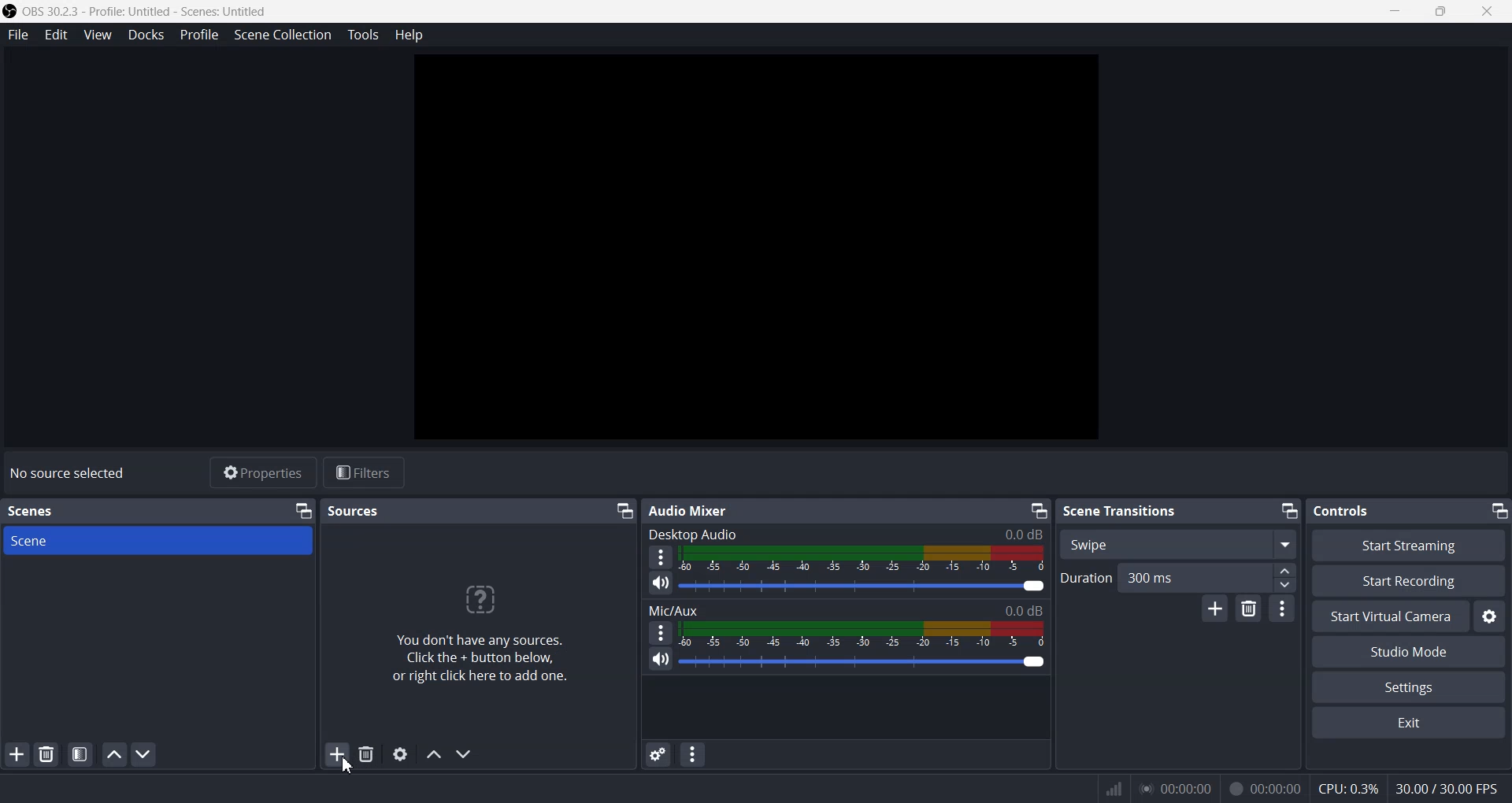 The height and width of the screenshot is (803, 1512). I want to click on Cursor, so click(348, 766).